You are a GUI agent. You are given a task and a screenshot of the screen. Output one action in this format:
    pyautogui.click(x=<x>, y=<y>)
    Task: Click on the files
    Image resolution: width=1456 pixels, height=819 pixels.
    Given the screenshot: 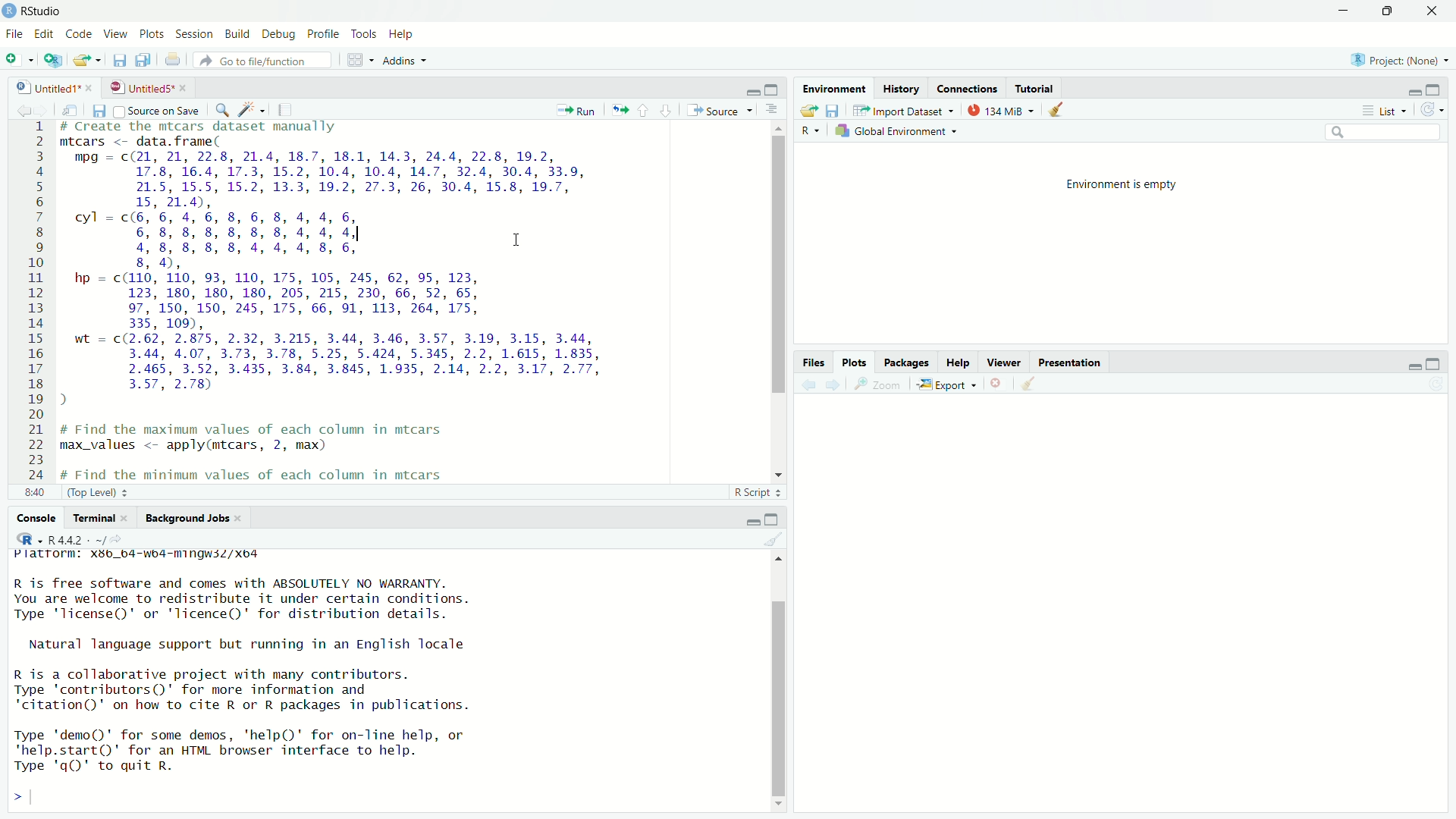 What is the action you would take?
    pyautogui.click(x=103, y=112)
    